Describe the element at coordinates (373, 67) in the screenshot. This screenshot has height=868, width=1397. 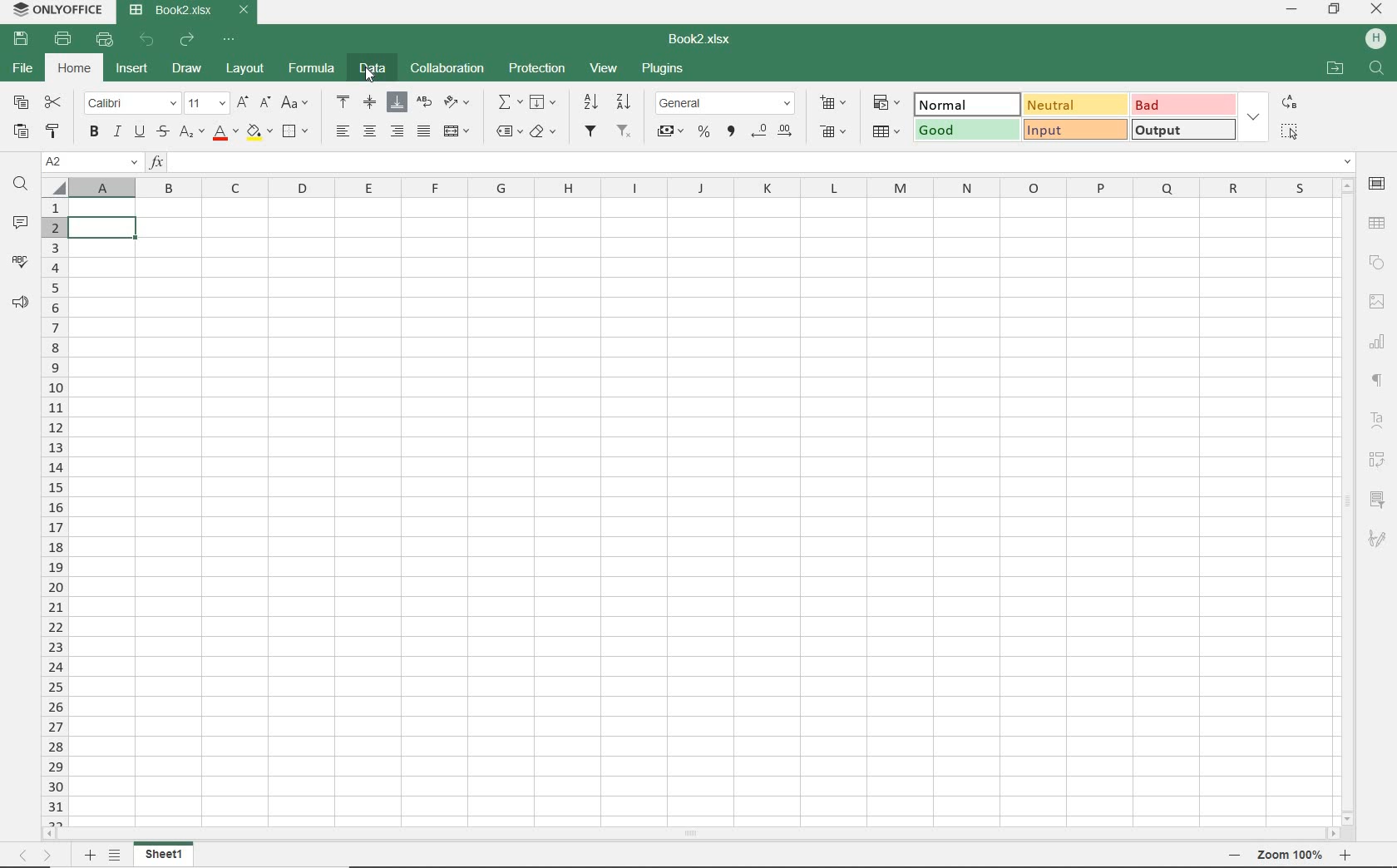
I see `DATA` at that location.